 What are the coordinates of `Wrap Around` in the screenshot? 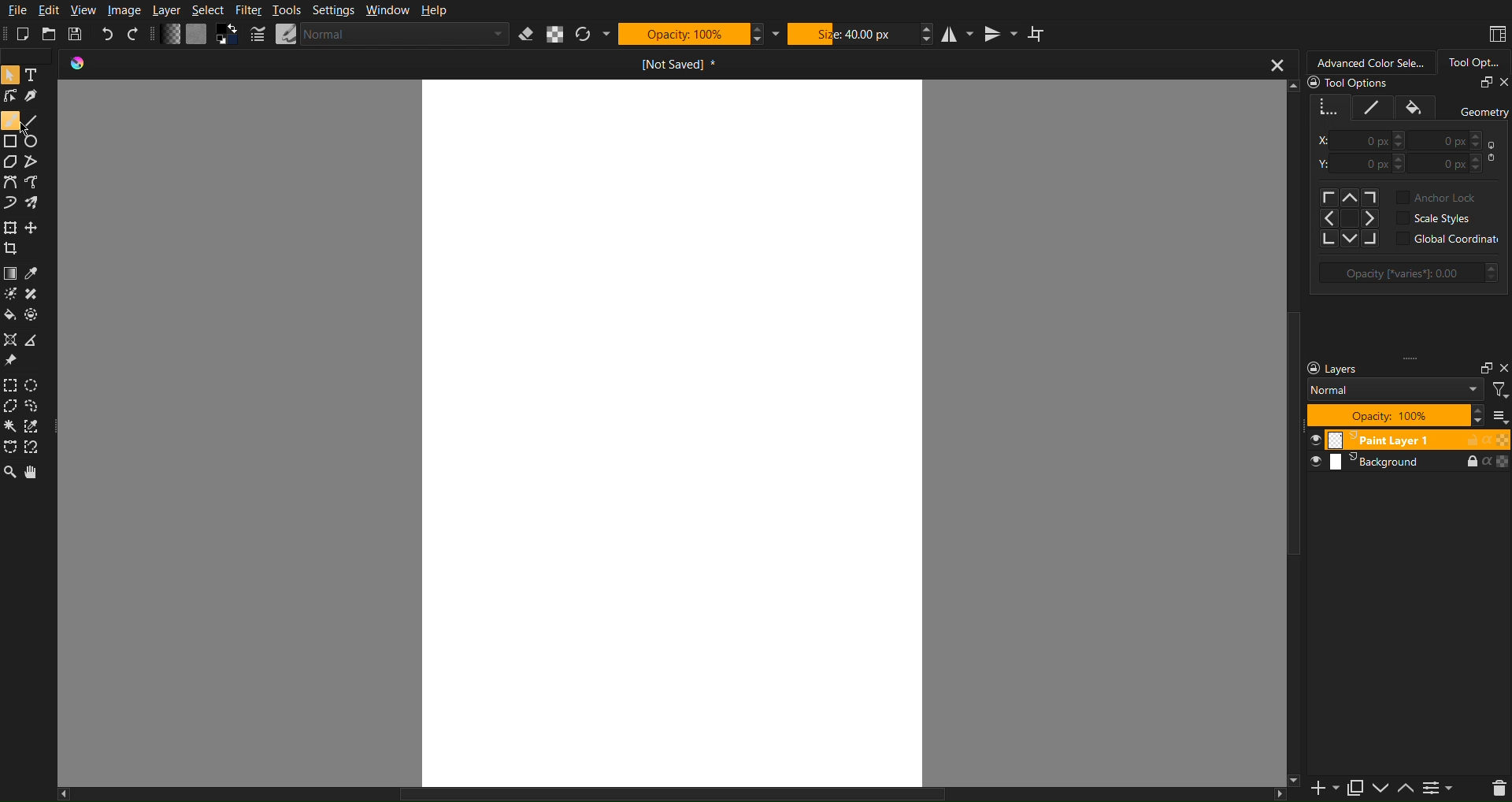 It's located at (1037, 34).